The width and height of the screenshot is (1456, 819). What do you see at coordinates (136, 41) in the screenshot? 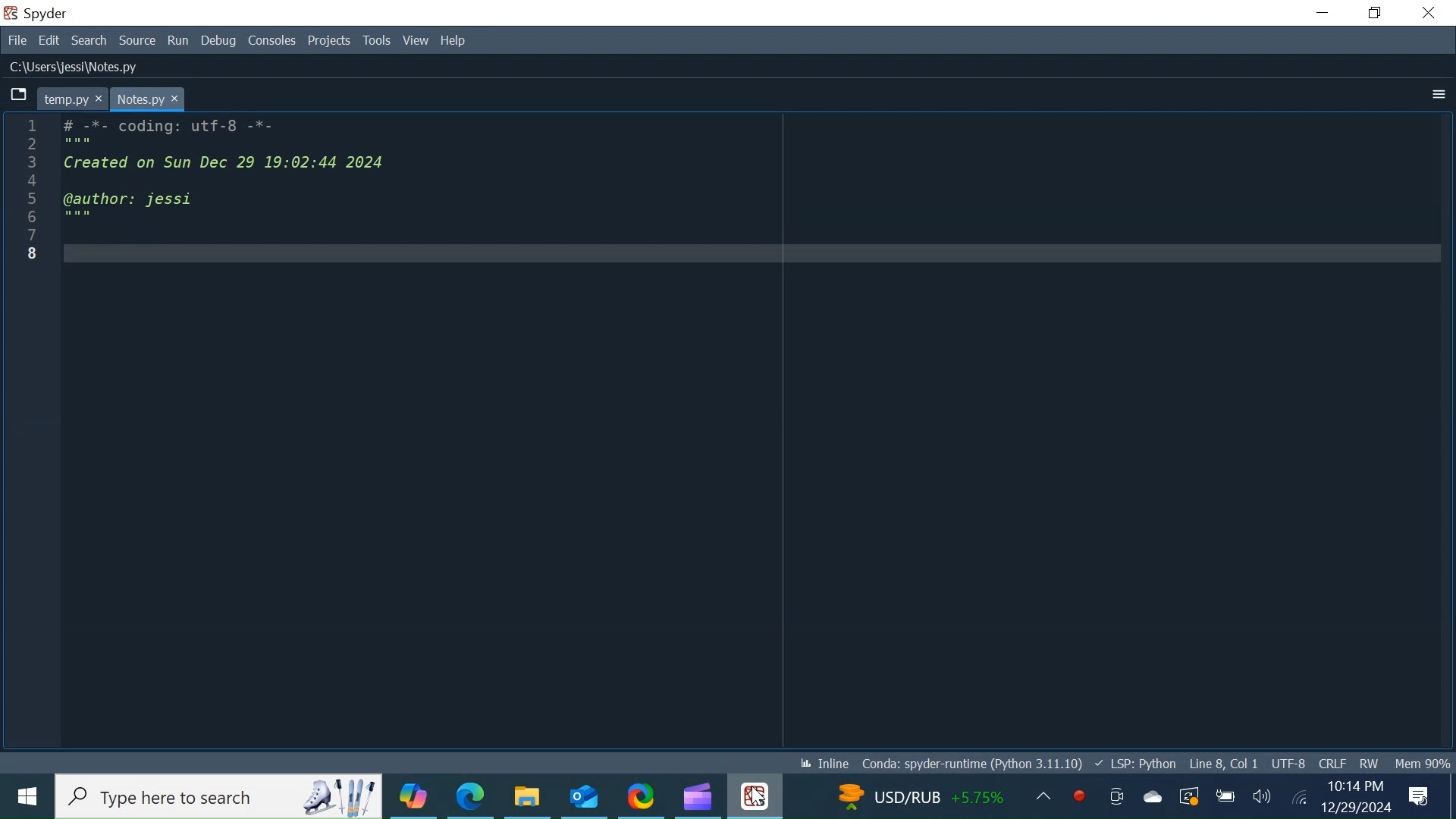
I see `Source` at bounding box center [136, 41].